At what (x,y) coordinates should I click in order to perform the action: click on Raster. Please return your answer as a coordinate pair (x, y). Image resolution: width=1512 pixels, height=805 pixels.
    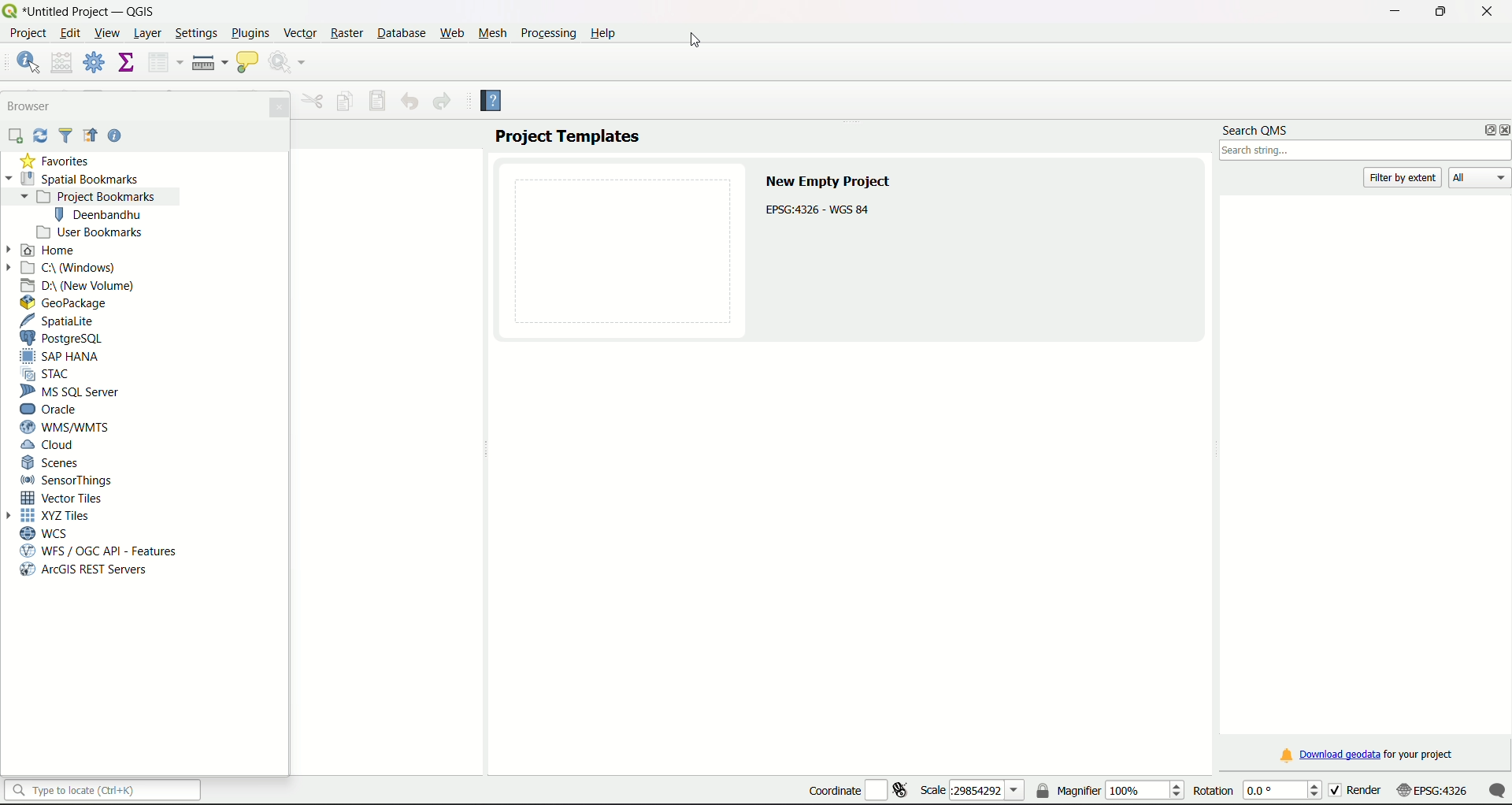
    Looking at the image, I should click on (348, 34).